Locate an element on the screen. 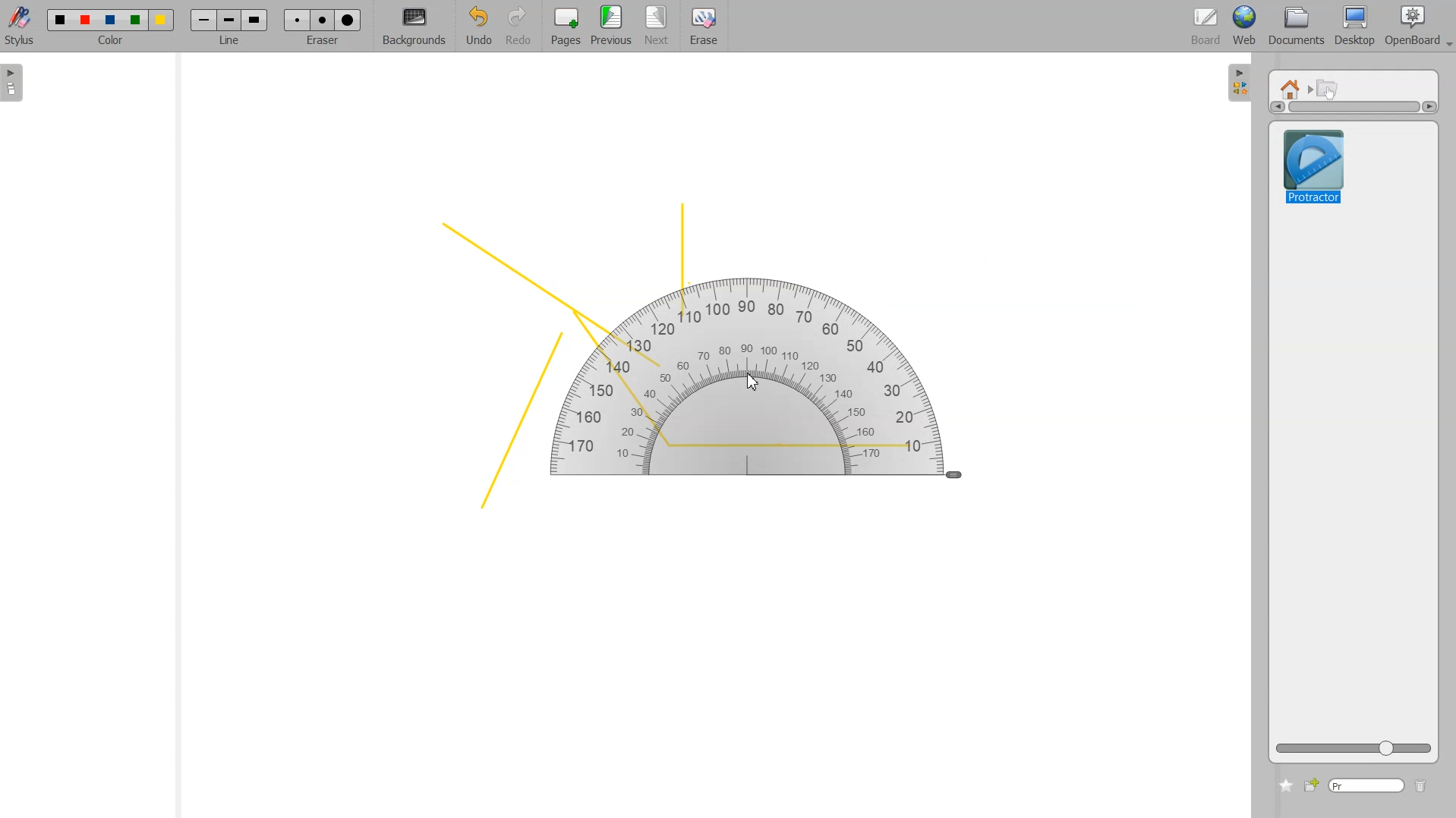 Image resolution: width=1456 pixels, height=818 pixels. Delete is located at coordinates (1421, 787).